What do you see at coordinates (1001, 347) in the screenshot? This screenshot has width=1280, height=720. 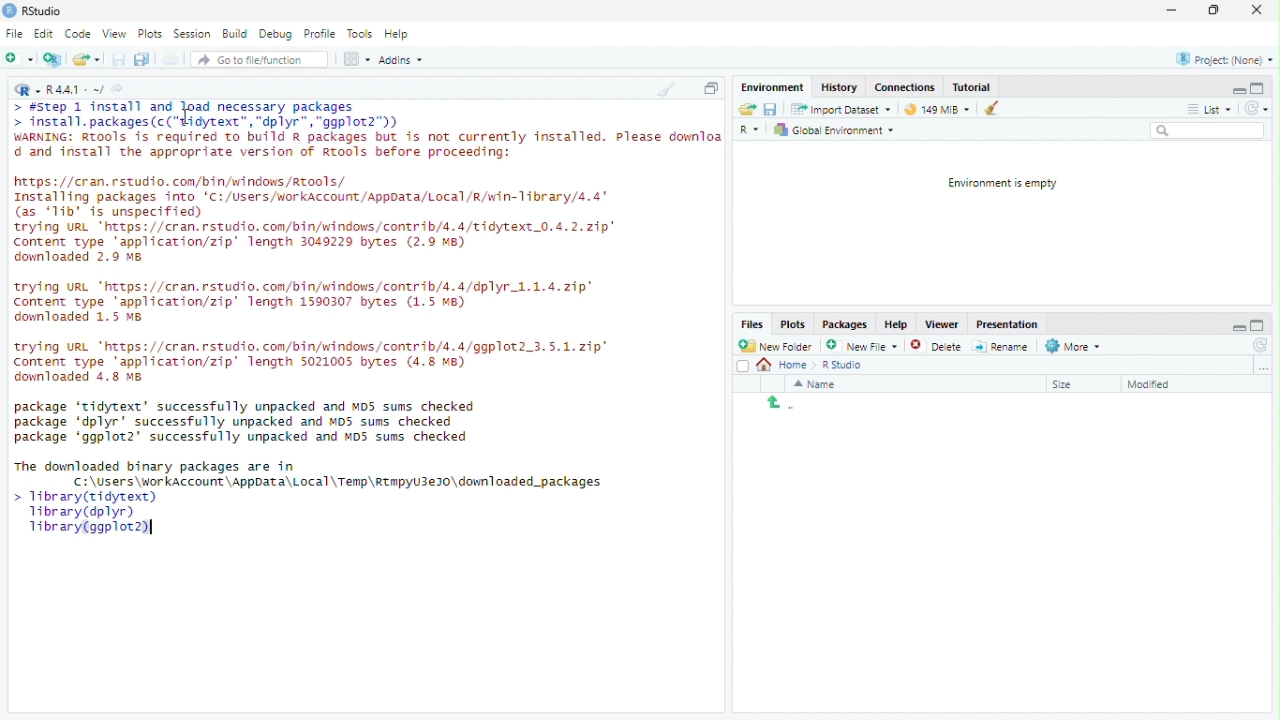 I see `Rename` at bounding box center [1001, 347].